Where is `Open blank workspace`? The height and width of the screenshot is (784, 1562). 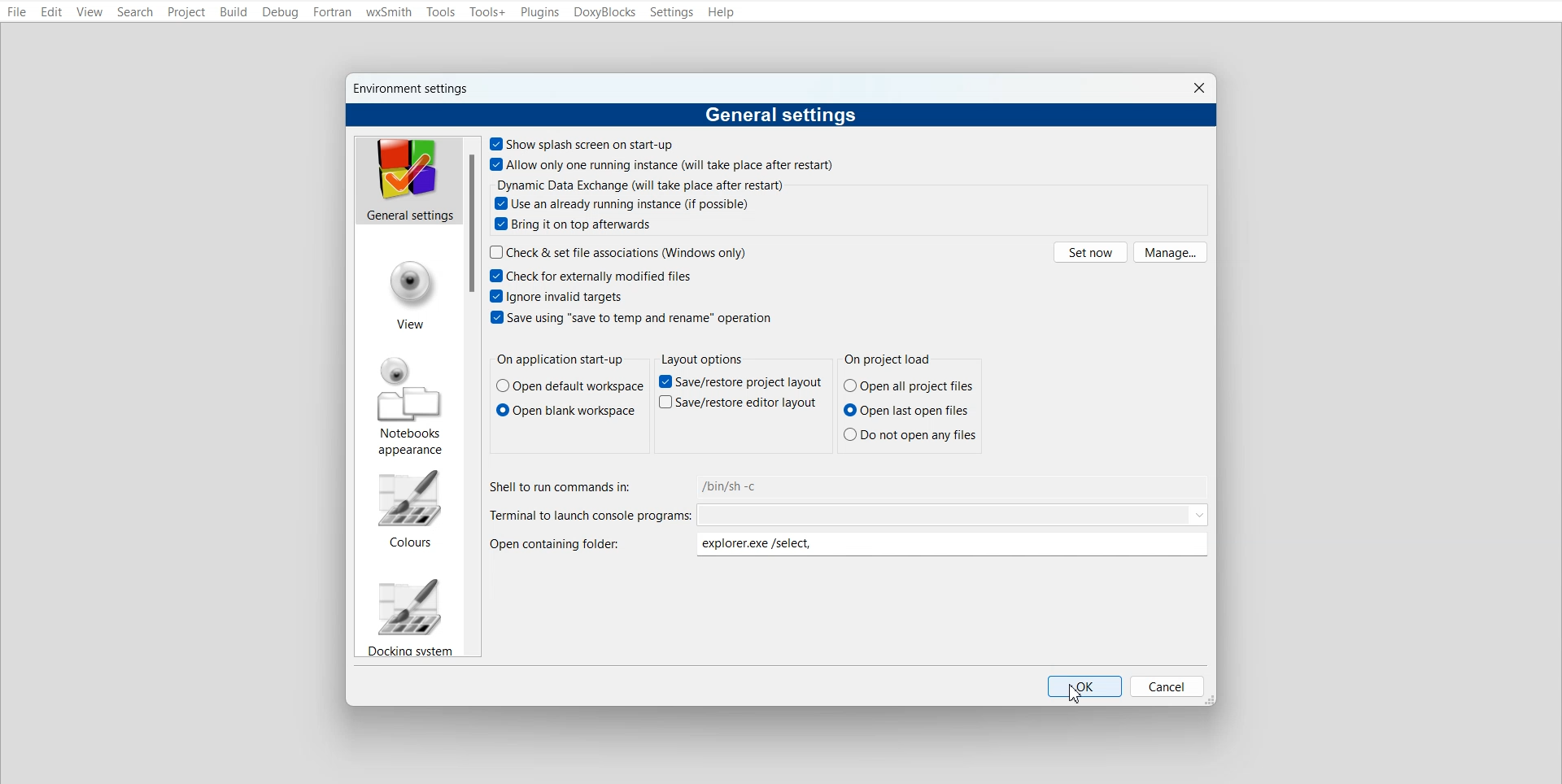
Open blank workspace is located at coordinates (566, 410).